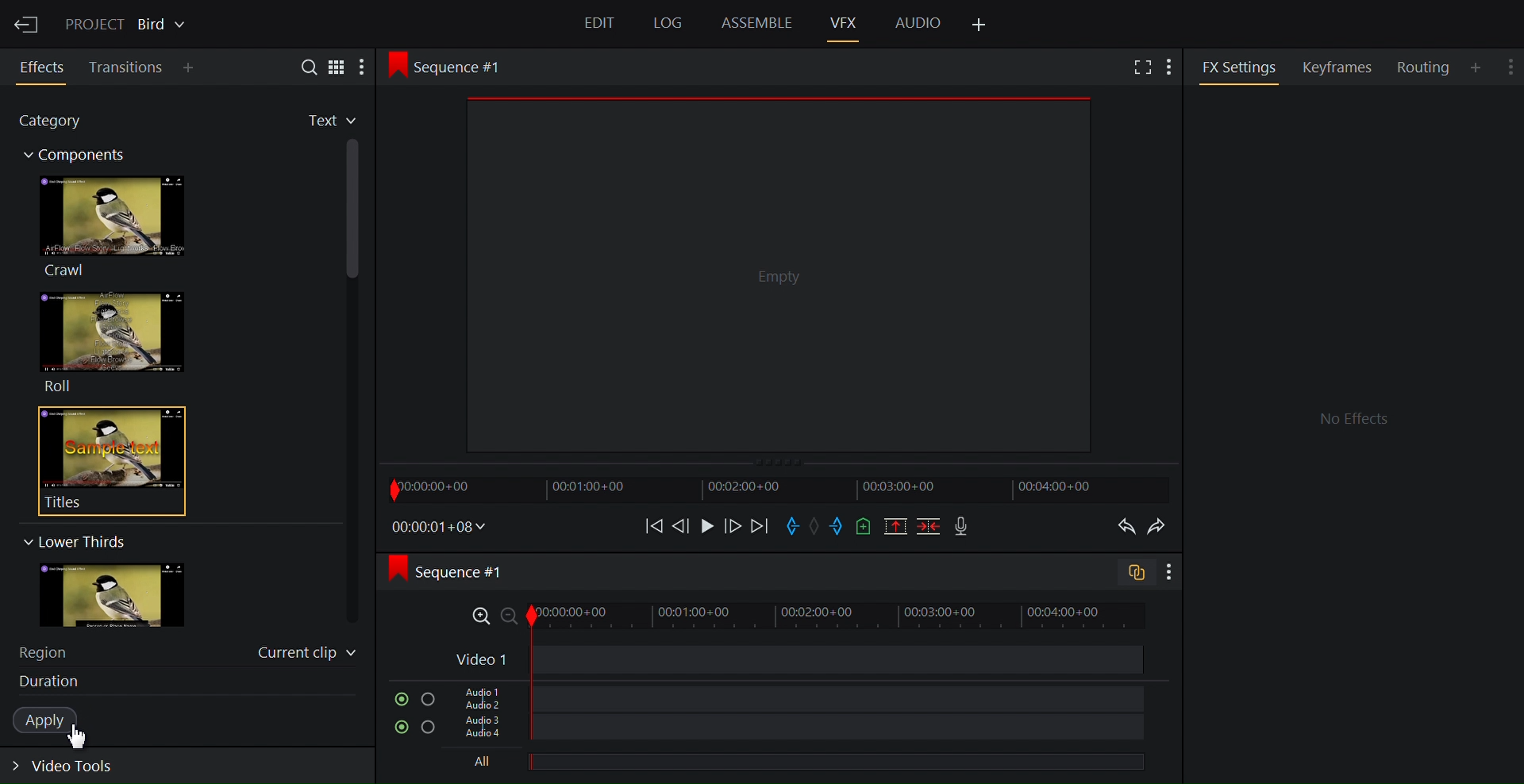 The width and height of the screenshot is (1524, 784). Describe the element at coordinates (53, 721) in the screenshot. I see `Apply` at that location.